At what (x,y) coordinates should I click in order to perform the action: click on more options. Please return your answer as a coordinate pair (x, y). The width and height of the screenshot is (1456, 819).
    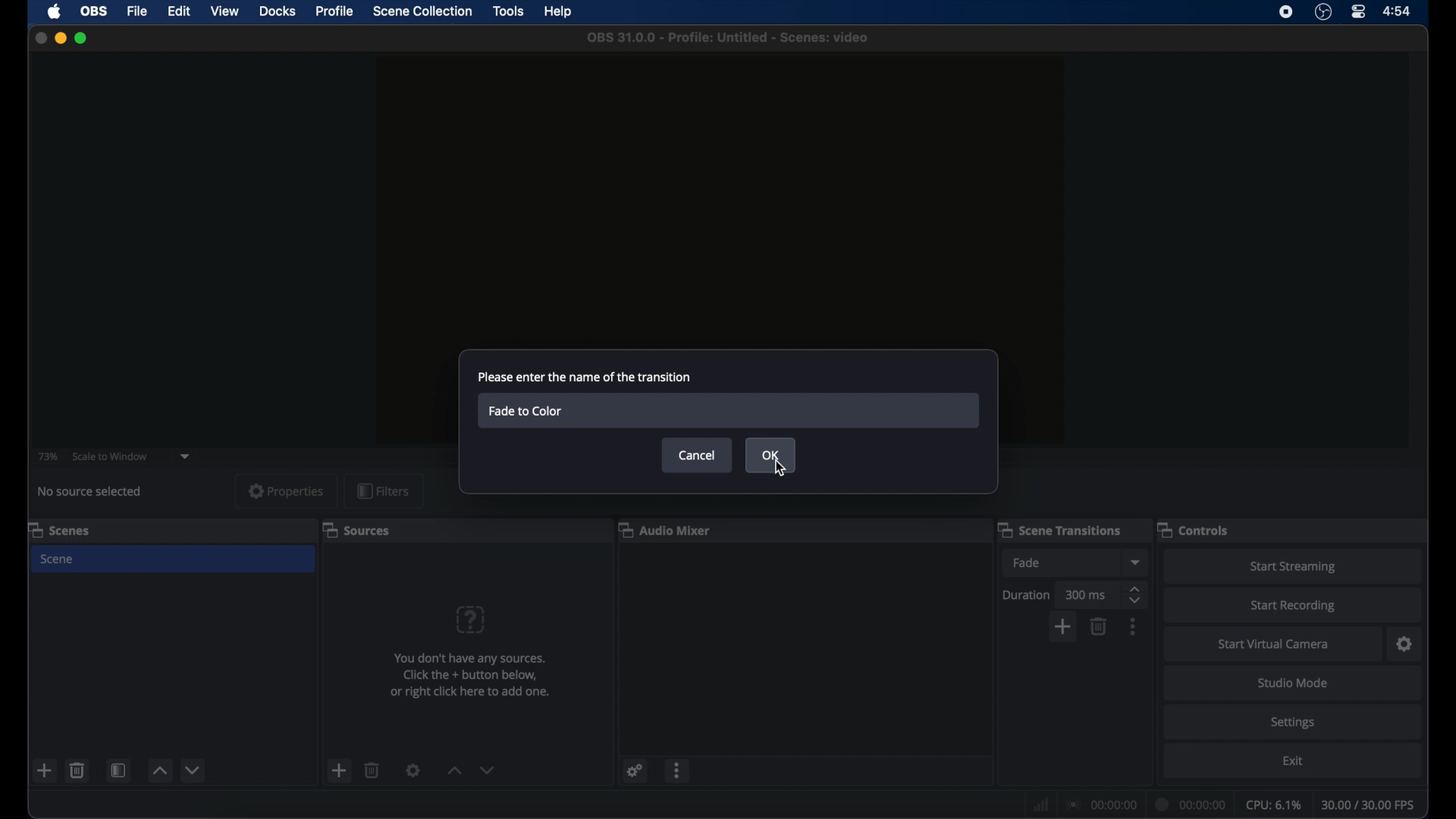
    Looking at the image, I should click on (1134, 626).